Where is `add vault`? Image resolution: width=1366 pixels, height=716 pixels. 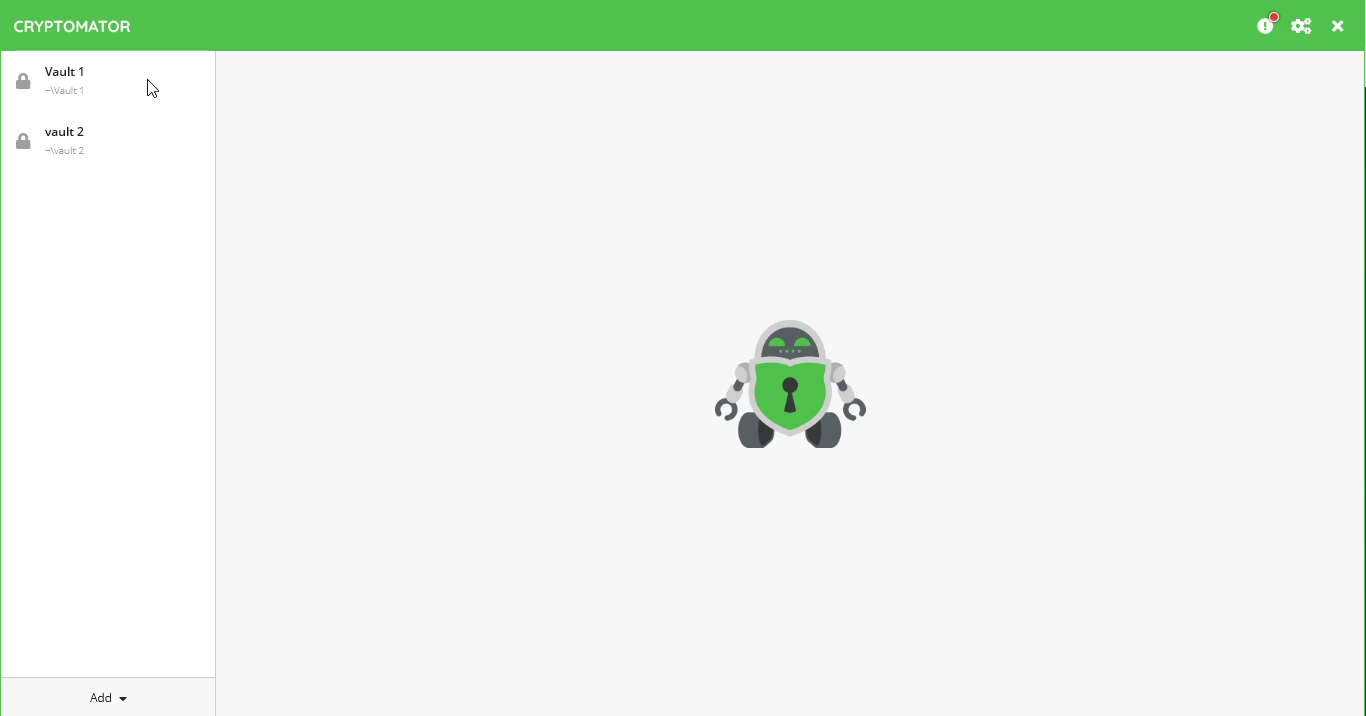 add vault is located at coordinates (104, 698).